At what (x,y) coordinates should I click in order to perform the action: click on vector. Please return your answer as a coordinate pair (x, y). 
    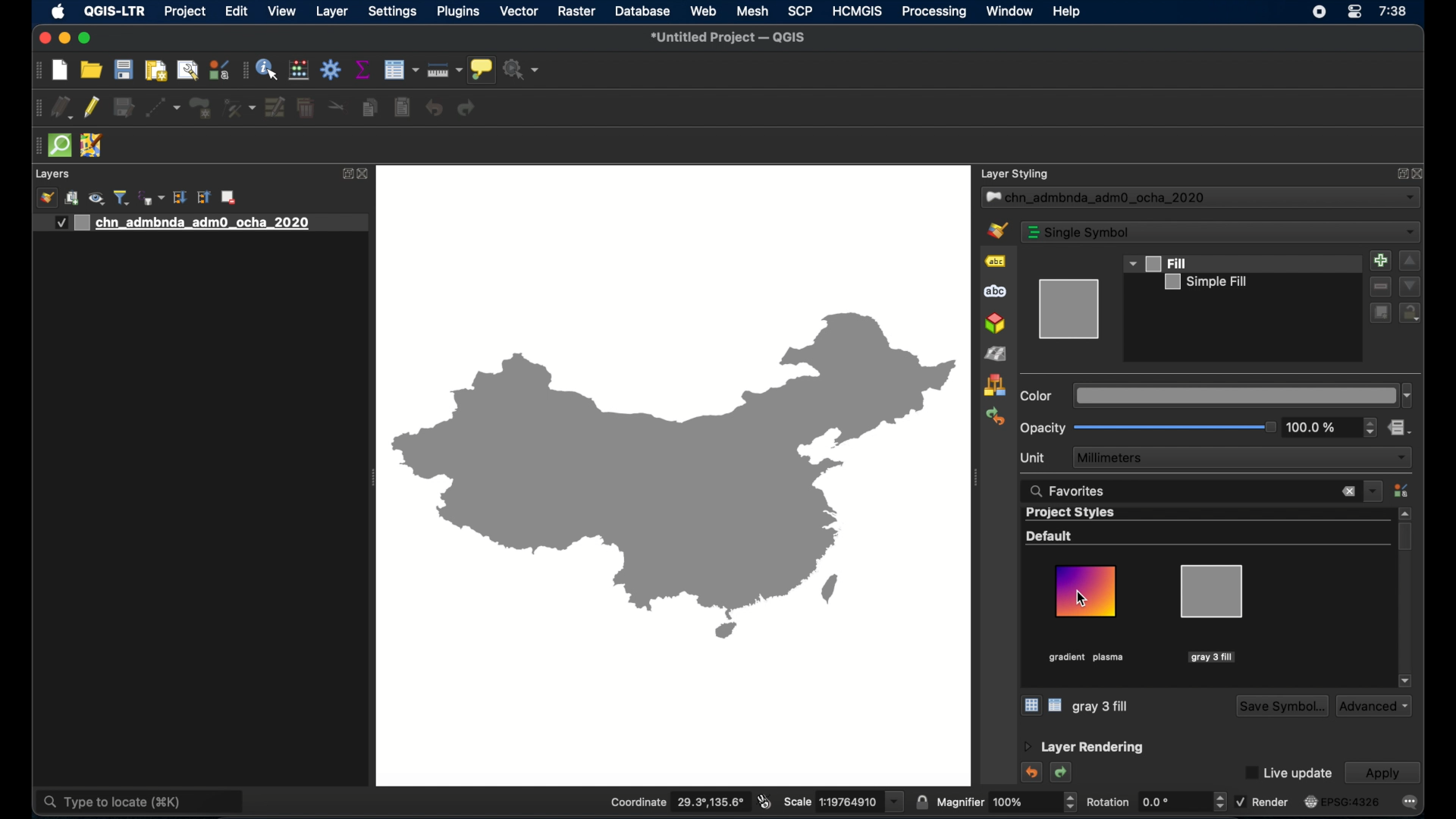
    Looking at the image, I should click on (519, 11).